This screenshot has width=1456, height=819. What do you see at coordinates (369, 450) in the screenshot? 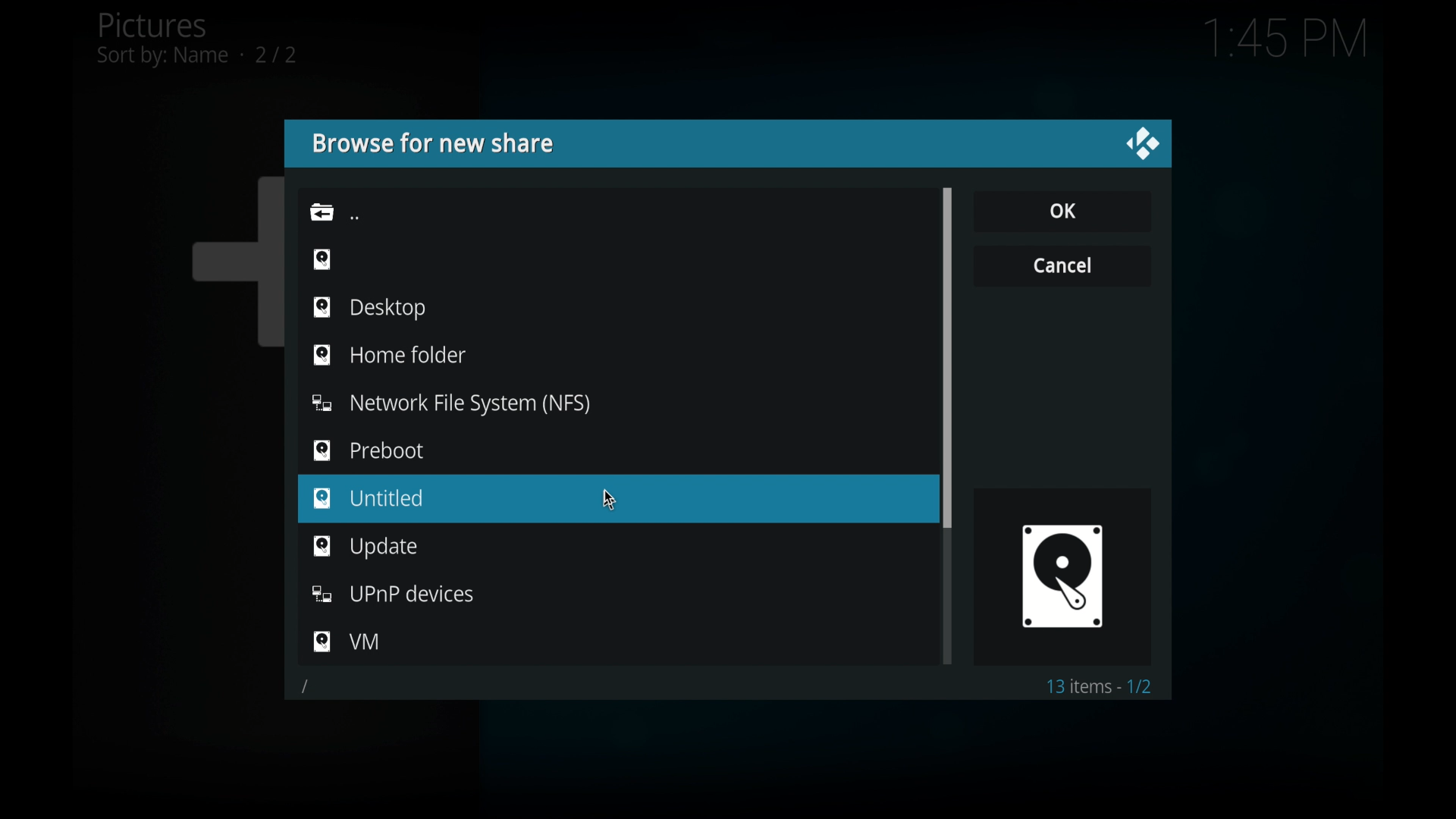
I see `preboot` at bounding box center [369, 450].